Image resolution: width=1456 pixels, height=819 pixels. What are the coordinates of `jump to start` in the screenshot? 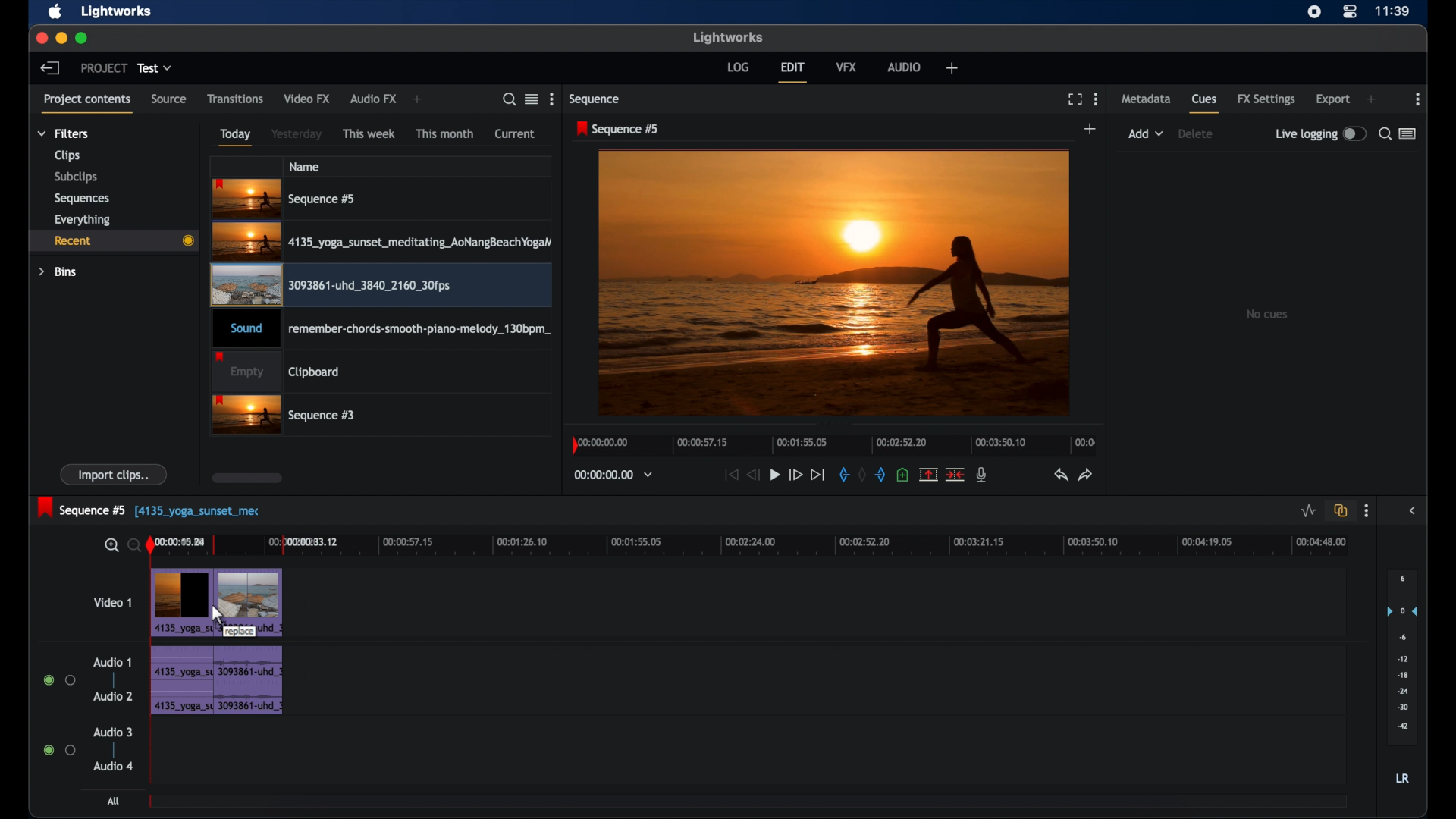 It's located at (729, 474).